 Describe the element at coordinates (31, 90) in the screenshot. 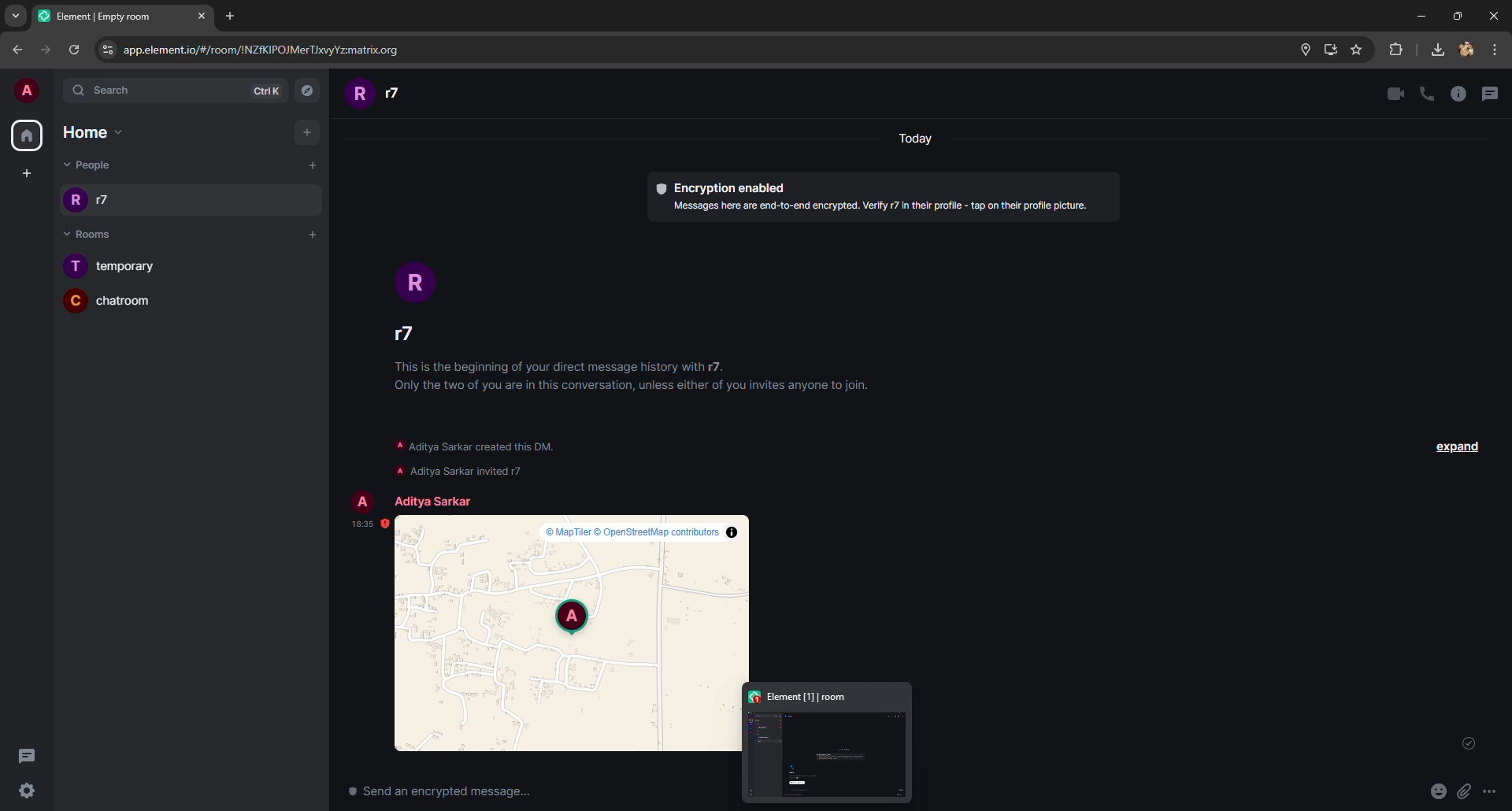

I see `account` at that location.